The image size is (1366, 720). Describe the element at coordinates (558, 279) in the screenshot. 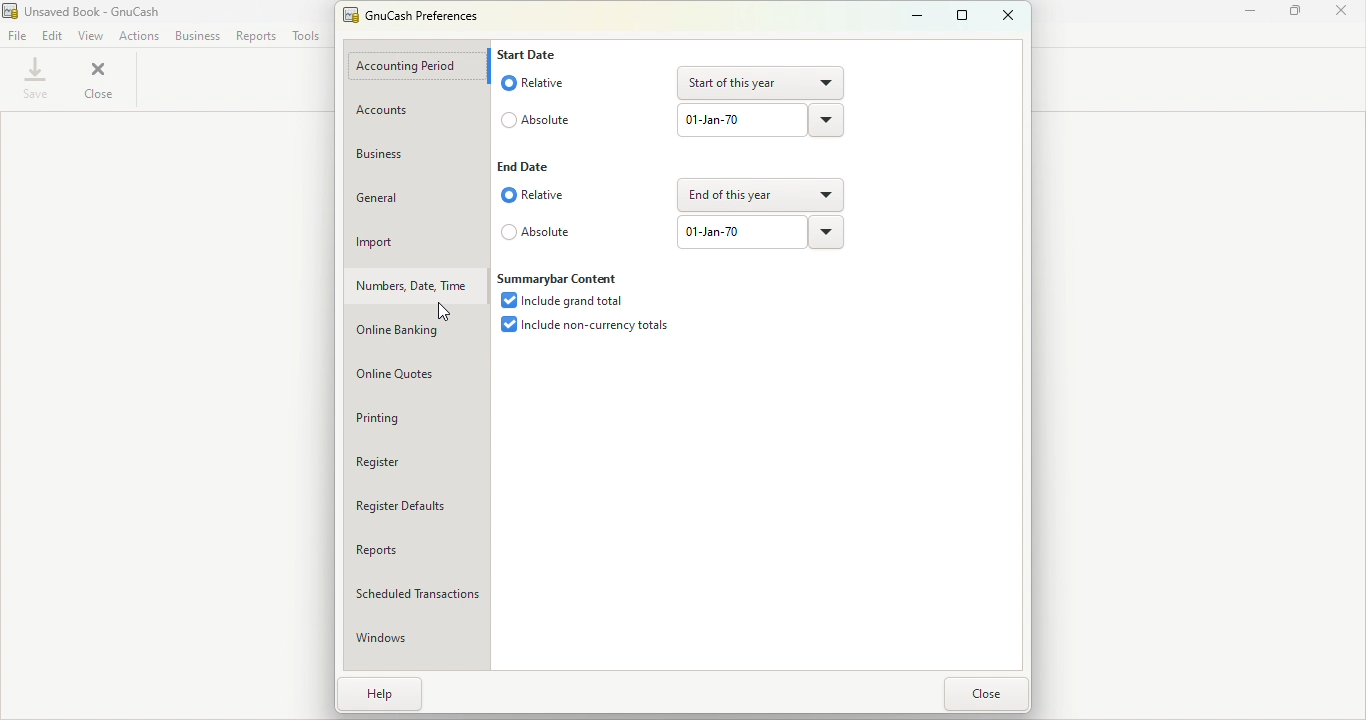

I see `Summarybar content` at that location.